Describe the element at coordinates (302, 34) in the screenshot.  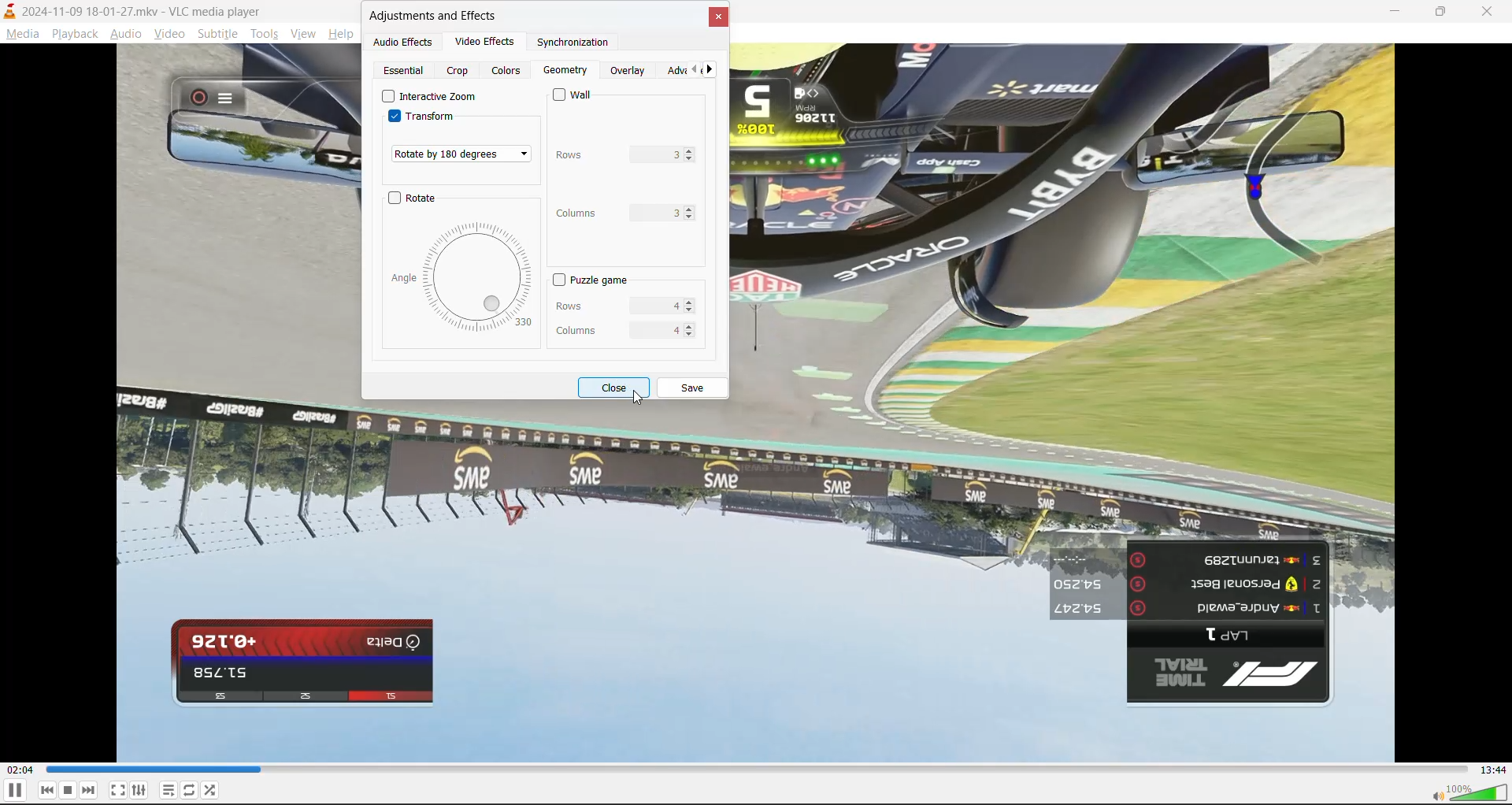
I see `view` at that location.